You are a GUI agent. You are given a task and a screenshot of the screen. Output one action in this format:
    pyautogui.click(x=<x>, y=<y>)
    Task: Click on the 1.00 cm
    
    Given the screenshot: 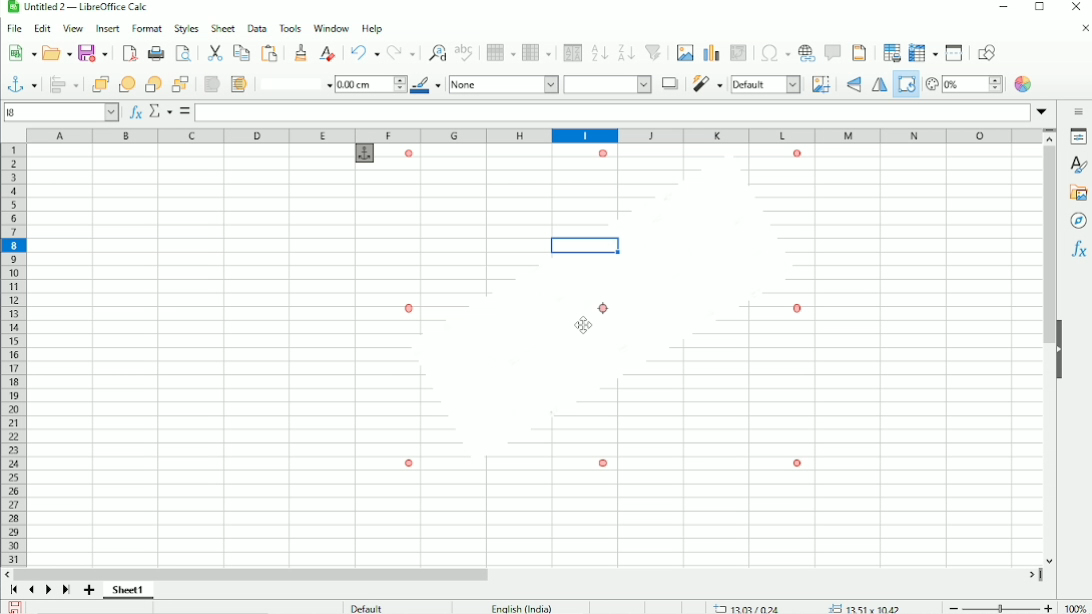 What is the action you would take?
    pyautogui.click(x=370, y=85)
    